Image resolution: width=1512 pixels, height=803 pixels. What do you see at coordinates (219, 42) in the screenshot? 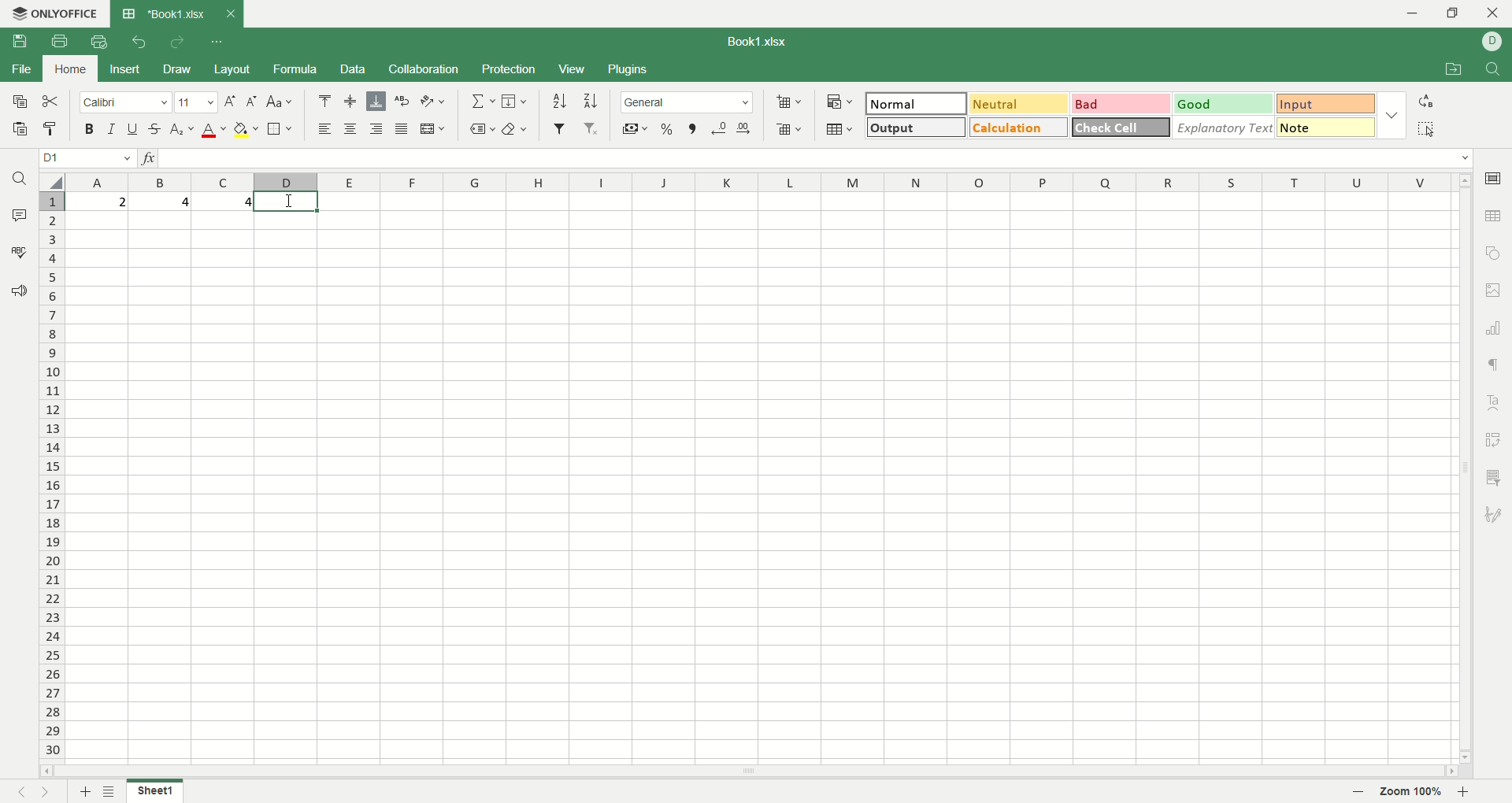
I see `quick access toolbar` at bounding box center [219, 42].